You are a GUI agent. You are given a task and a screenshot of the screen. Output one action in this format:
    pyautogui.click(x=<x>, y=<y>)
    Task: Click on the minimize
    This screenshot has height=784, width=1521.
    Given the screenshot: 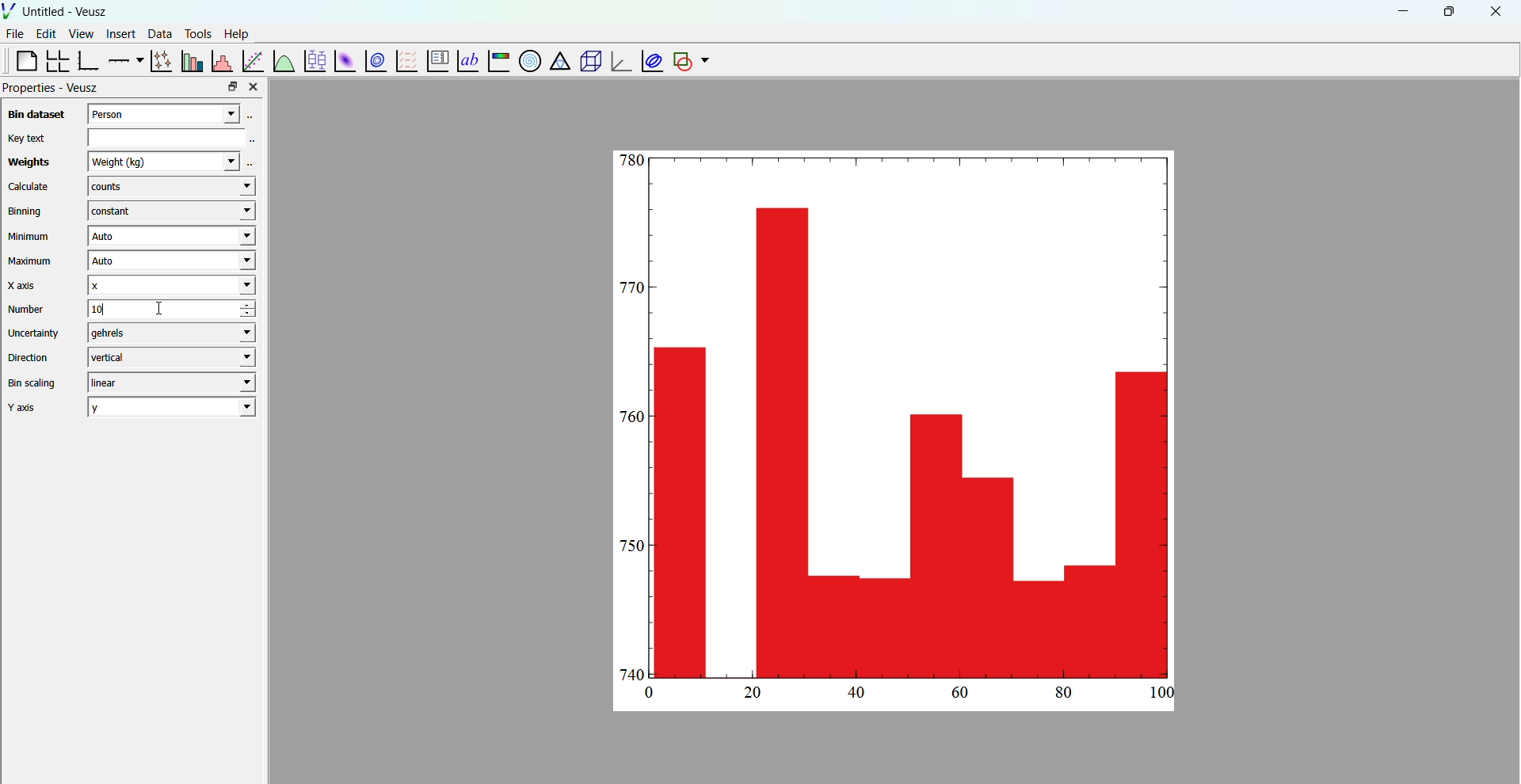 What is the action you would take?
    pyautogui.click(x=1401, y=10)
    